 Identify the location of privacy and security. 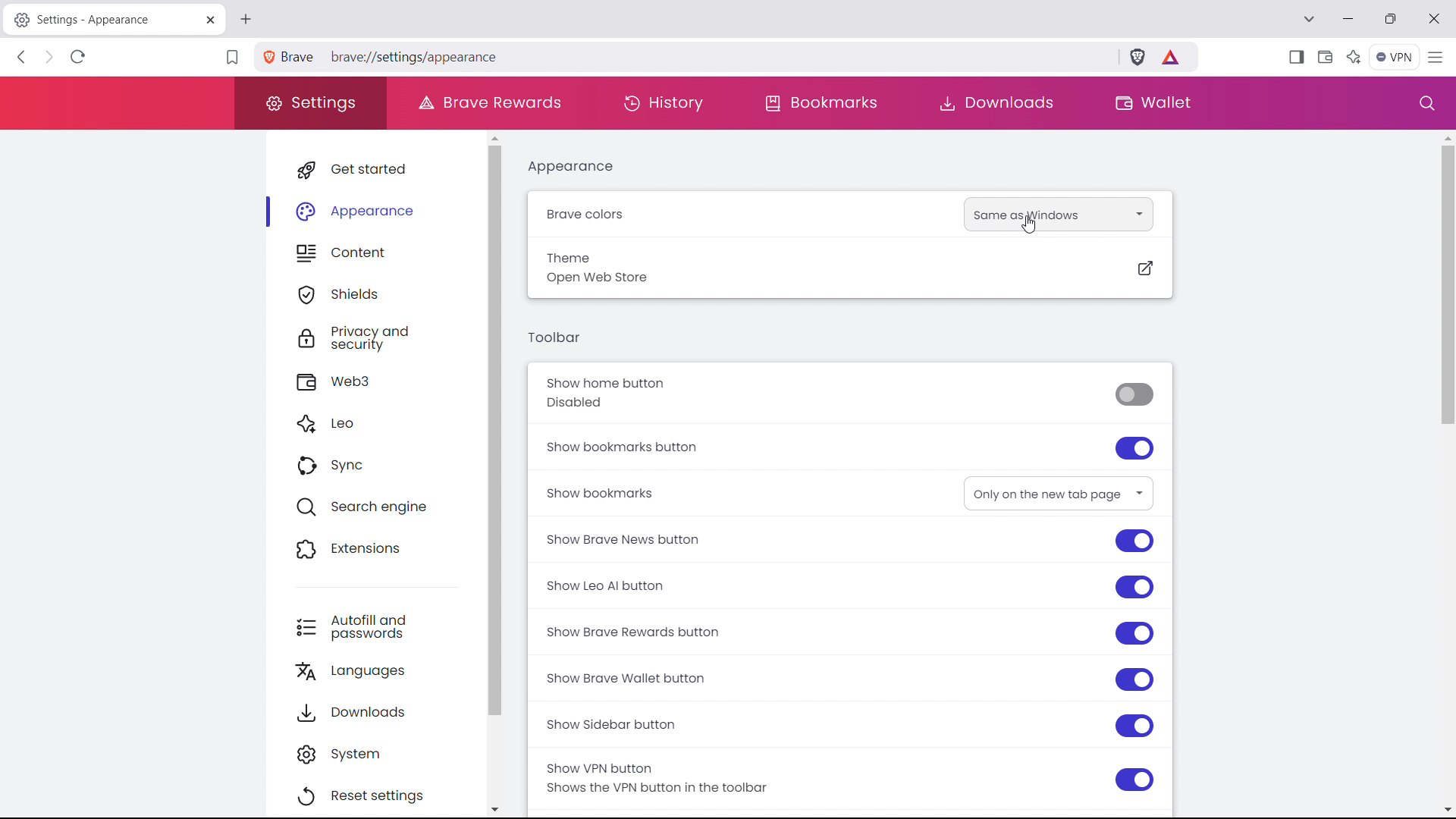
(388, 336).